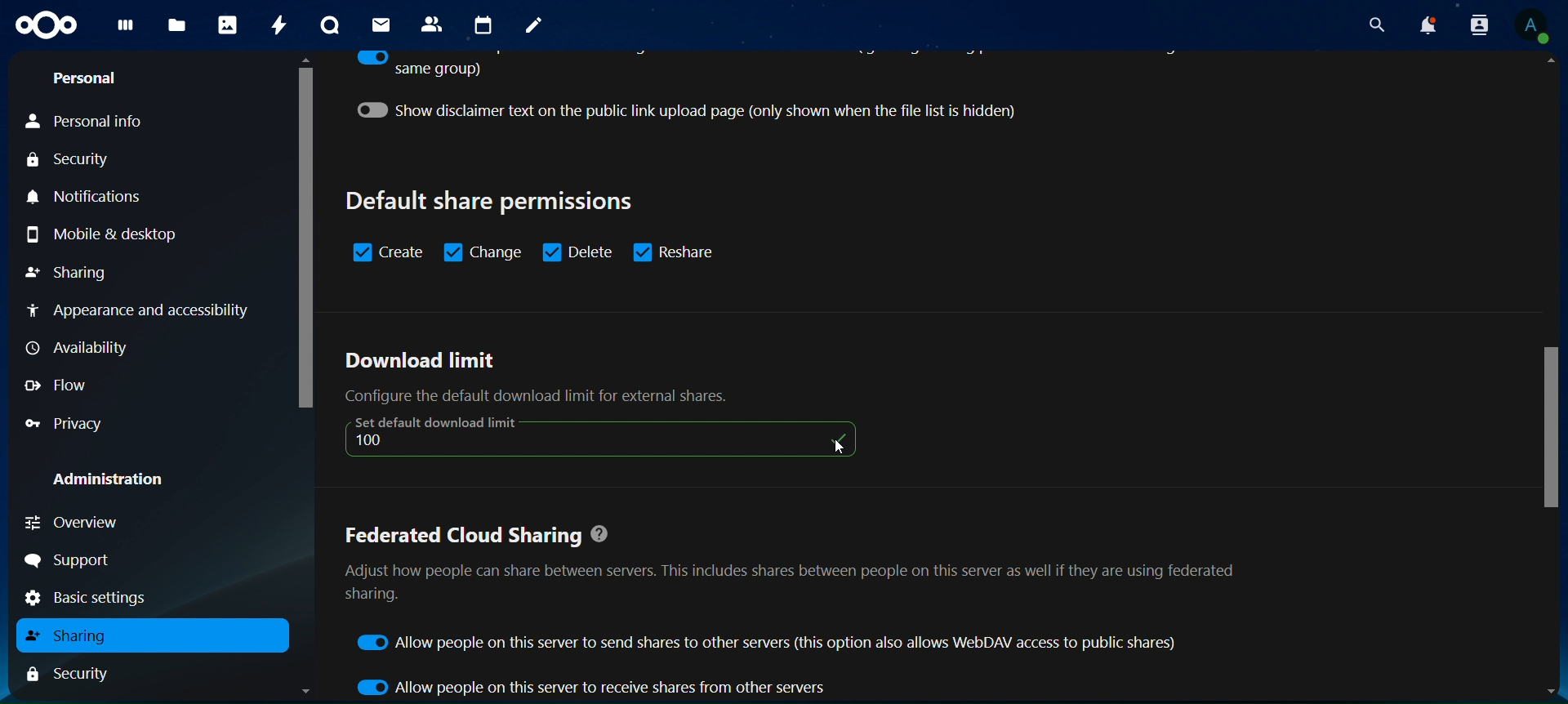 The height and width of the screenshot is (704, 1568). Describe the element at coordinates (69, 274) in the screenshot. I see `sharing` at that location.